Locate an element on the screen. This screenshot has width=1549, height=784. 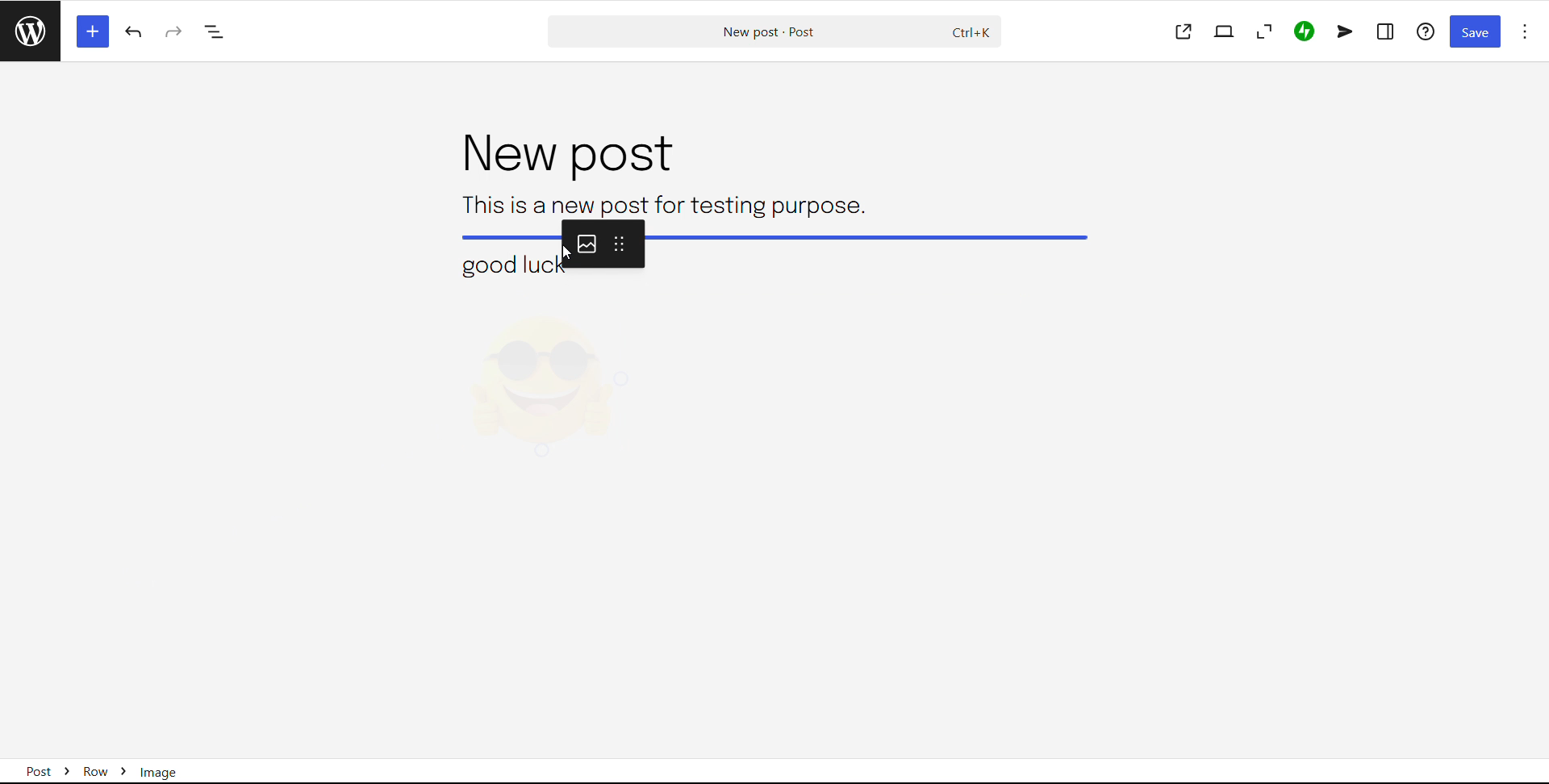
options is located at coordinates (1525, 31).